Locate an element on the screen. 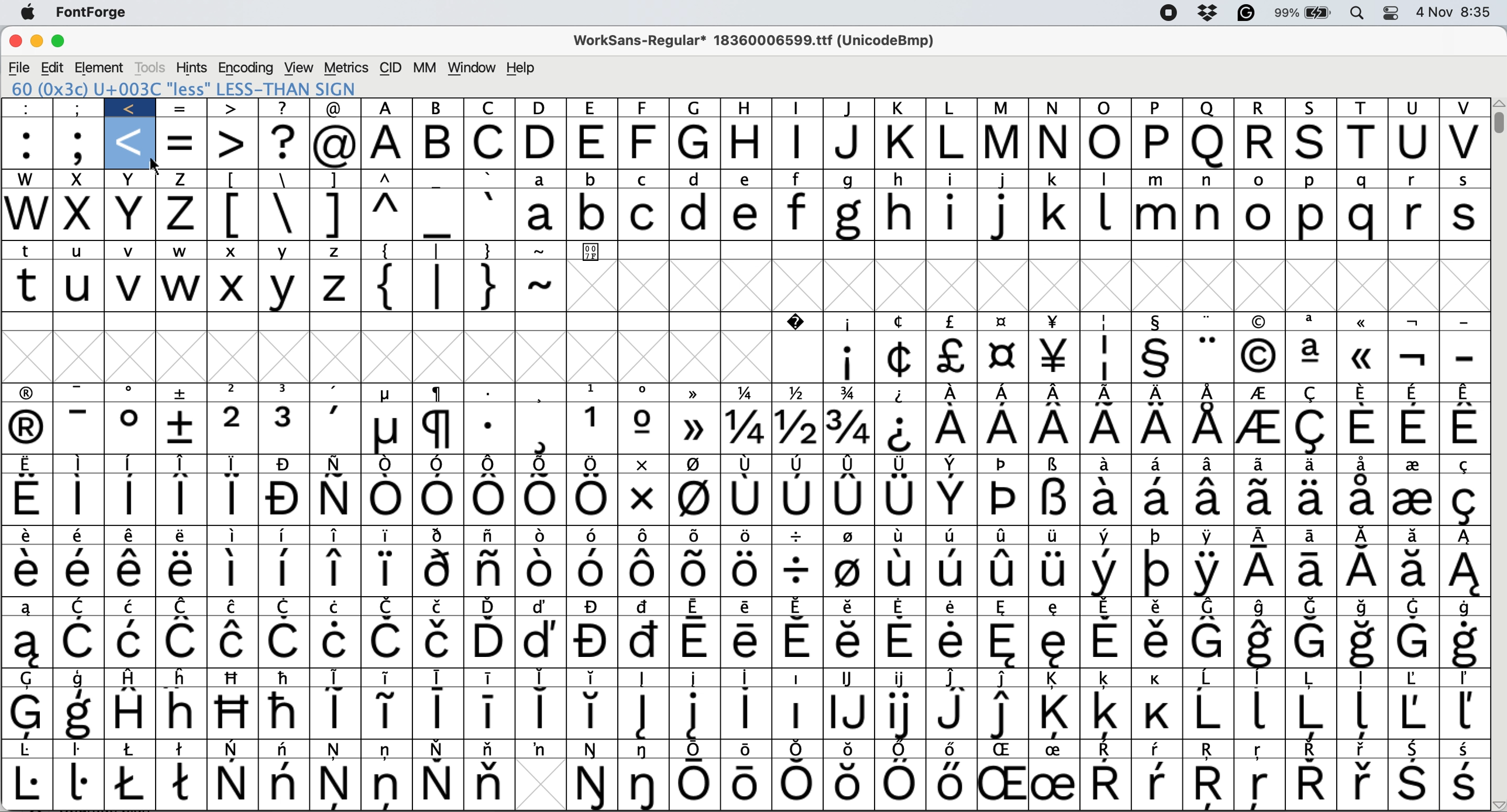 This screenshot has width=1507, height=812. Symbol is located at coordinates (853, 321).